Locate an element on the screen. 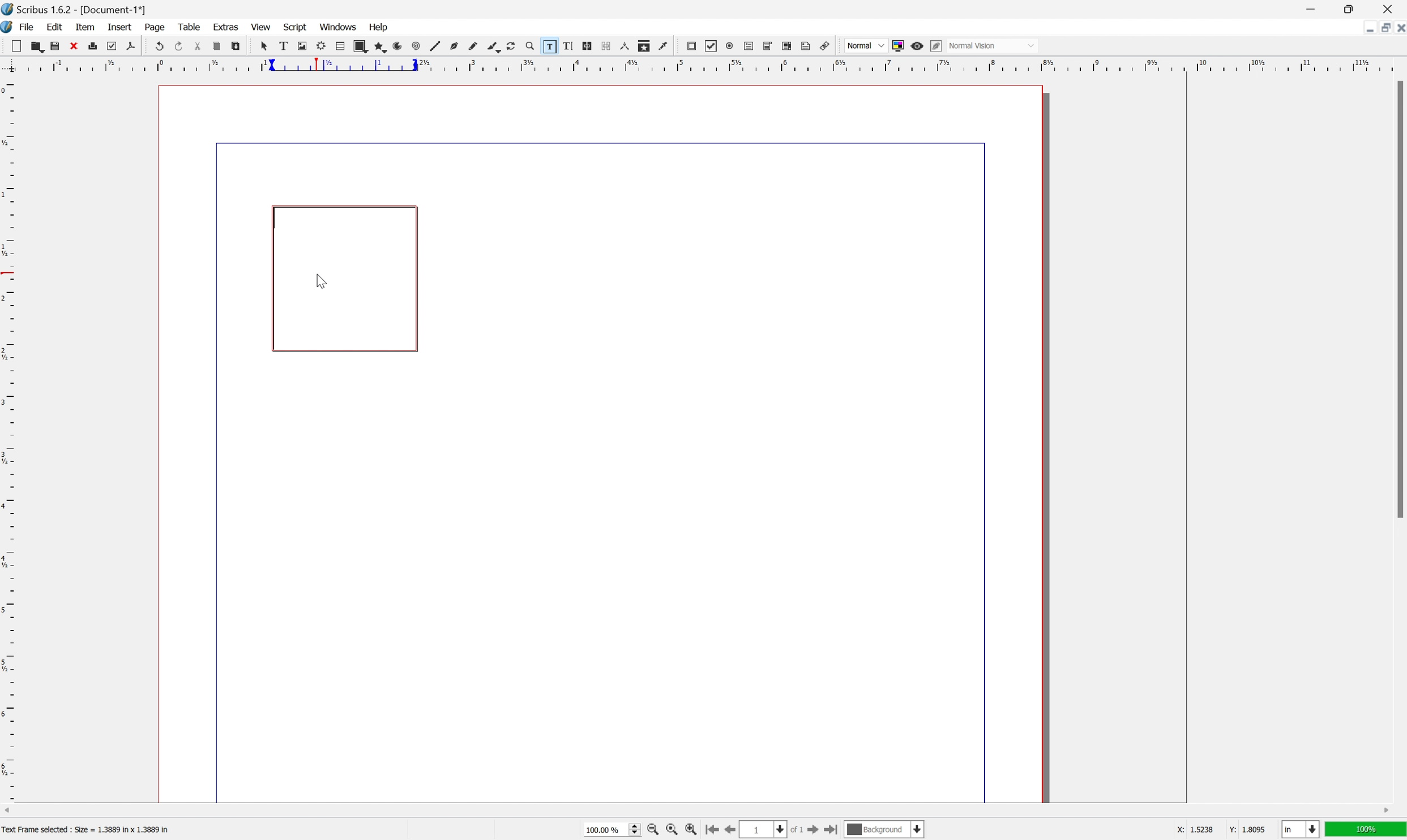 This screenshot has height=840, width=1407. pdf combo box is located at coordinates (767, 45).